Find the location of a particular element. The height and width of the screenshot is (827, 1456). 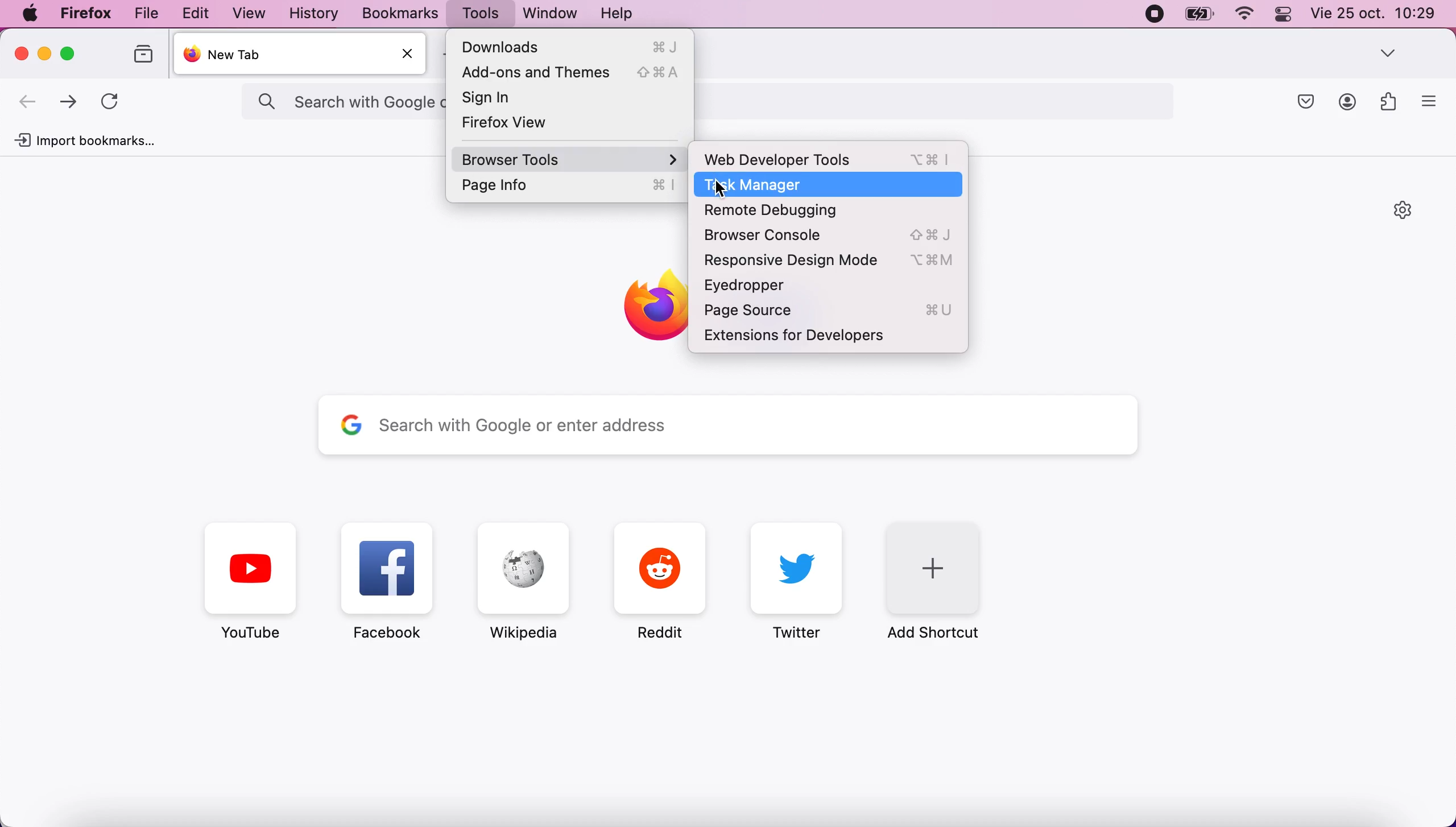

Responsive Design Mode is located at coordinates (832, 260).